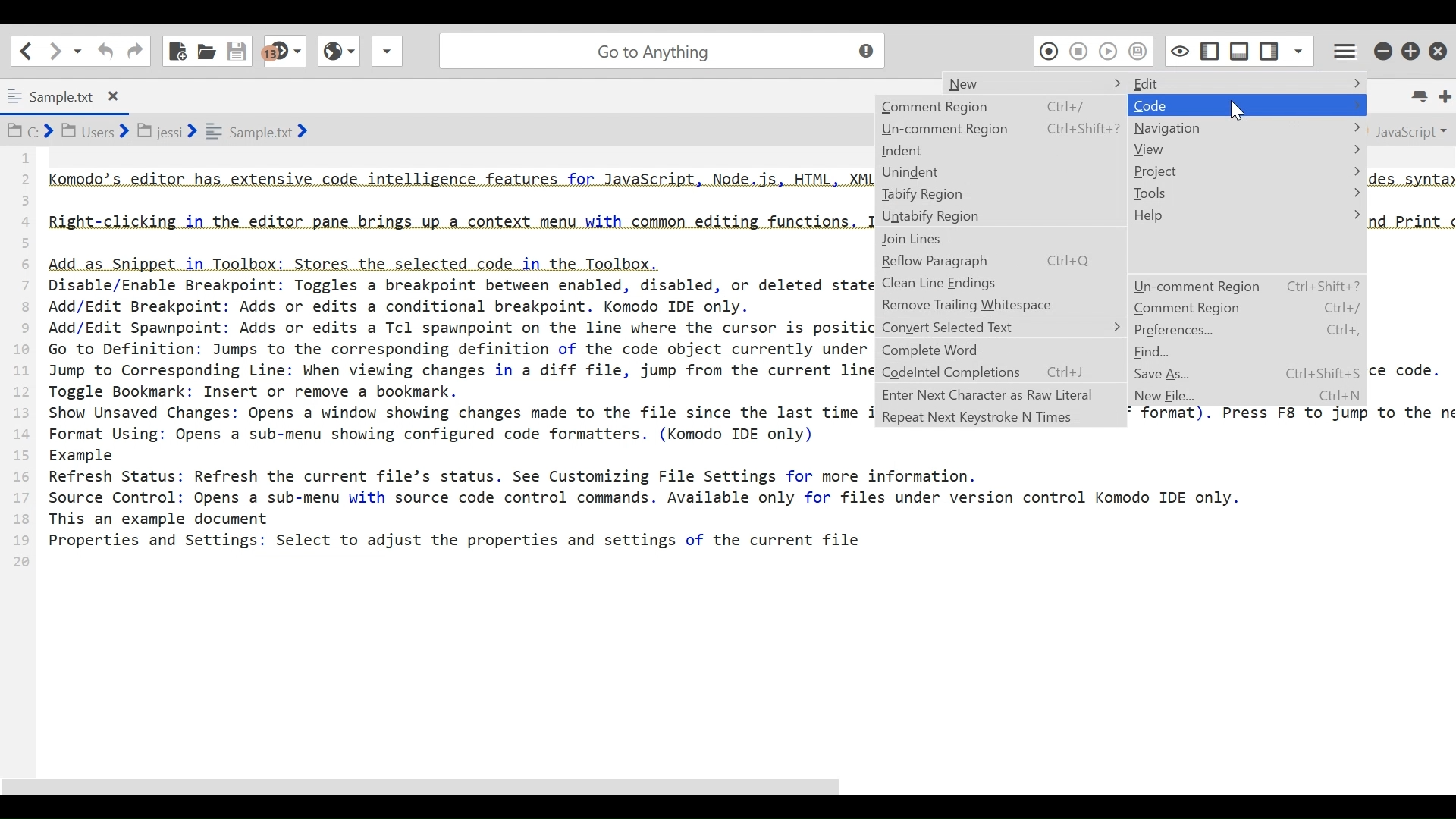 Image resolution: width=1456 pixels, height=819 pixels. Describe the element at coordinates (1002, 107) in the screenshot. I see `Comment region` at that location.